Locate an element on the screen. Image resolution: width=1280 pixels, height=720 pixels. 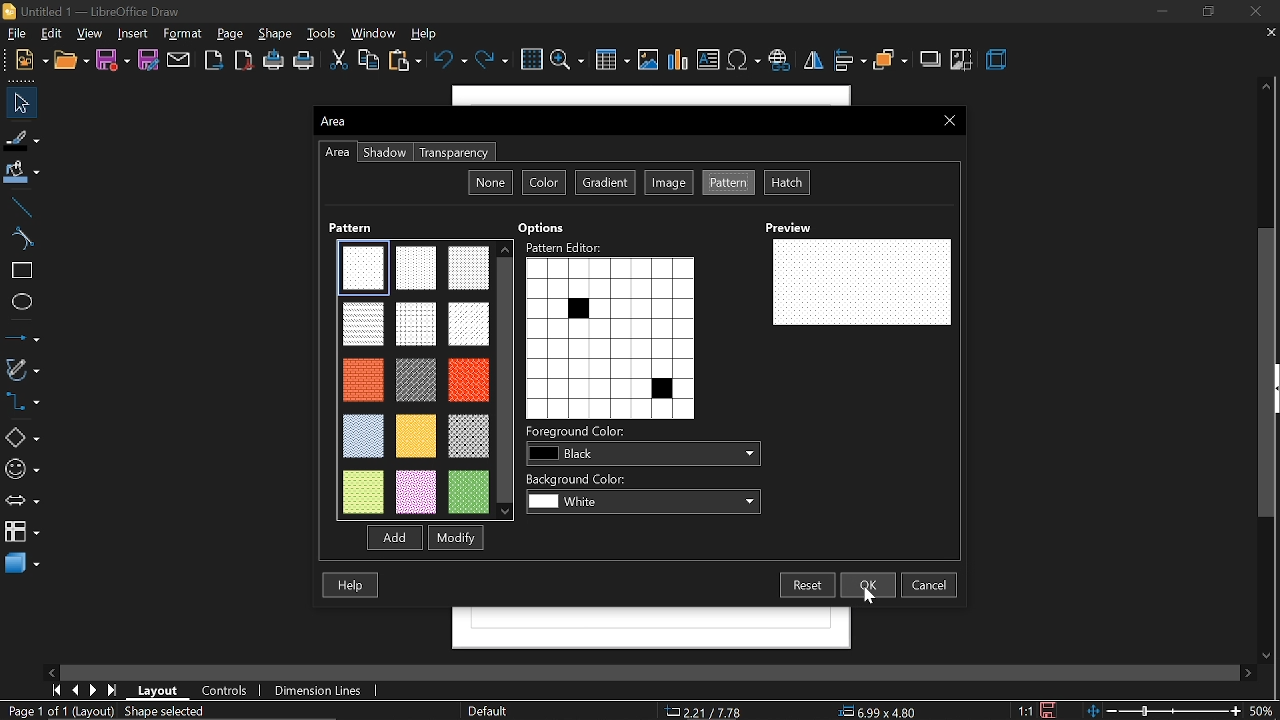
conttrols is located at coordinates (228, 691).